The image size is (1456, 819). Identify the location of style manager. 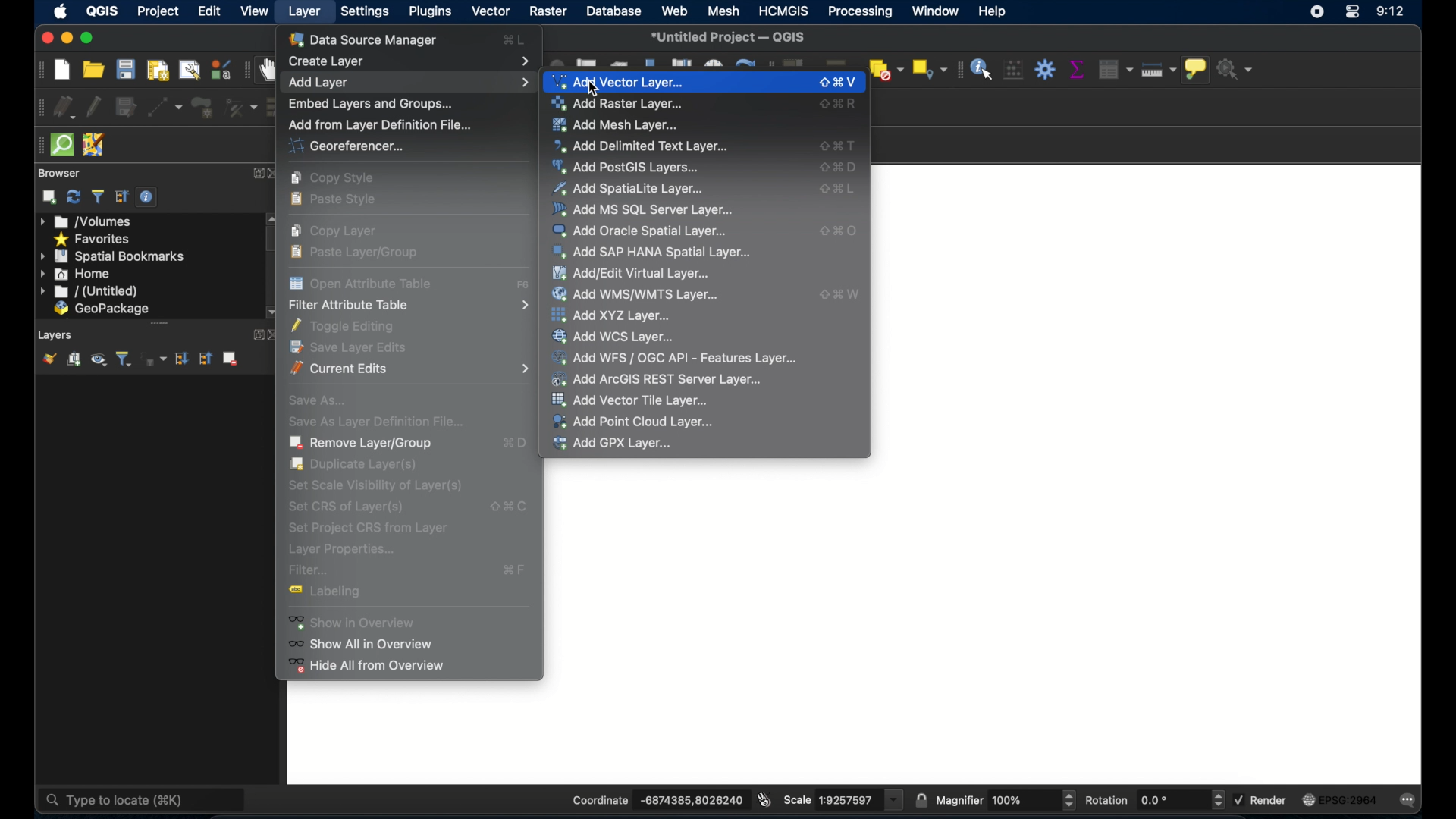
(220, 68).